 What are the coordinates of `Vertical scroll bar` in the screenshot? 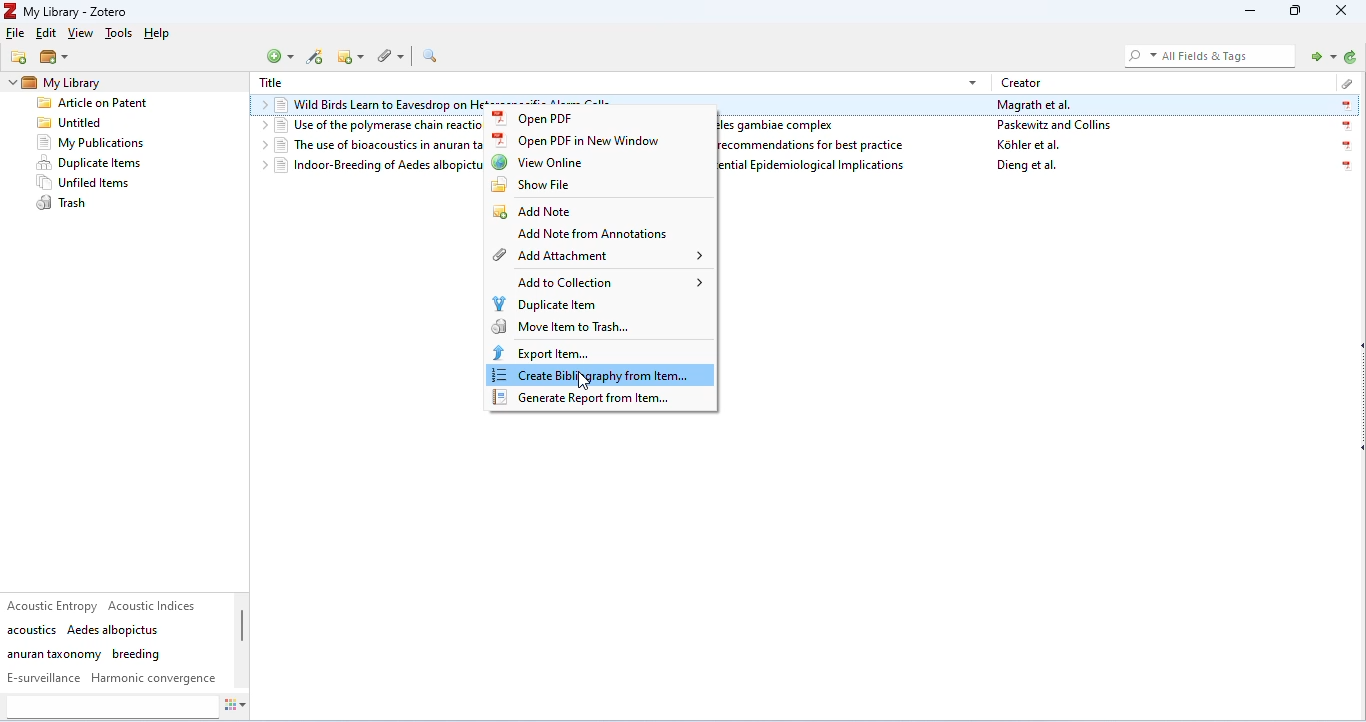 It's located at (242, 633).